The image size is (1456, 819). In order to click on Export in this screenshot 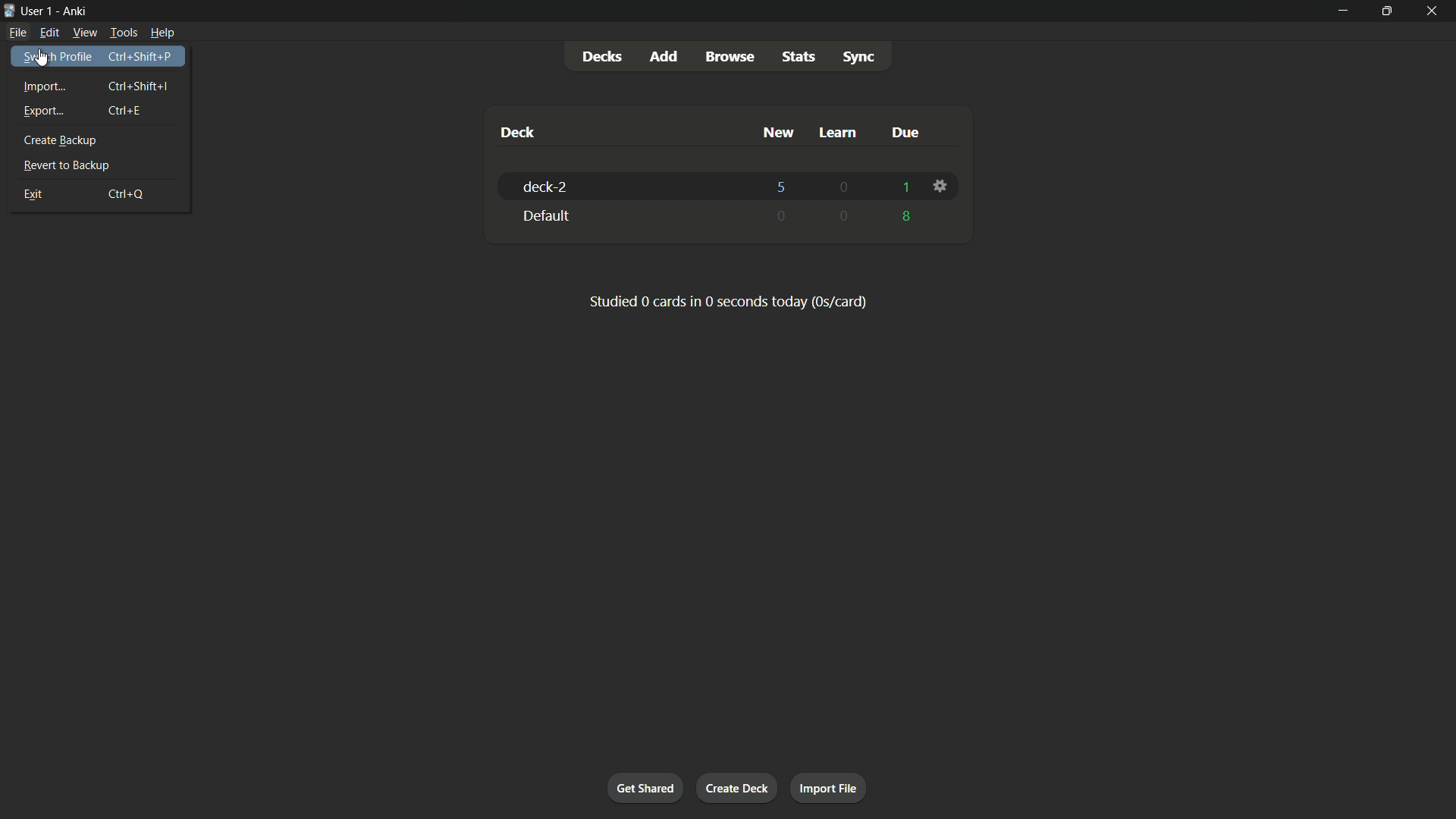, I will do `click(99, 111)`.